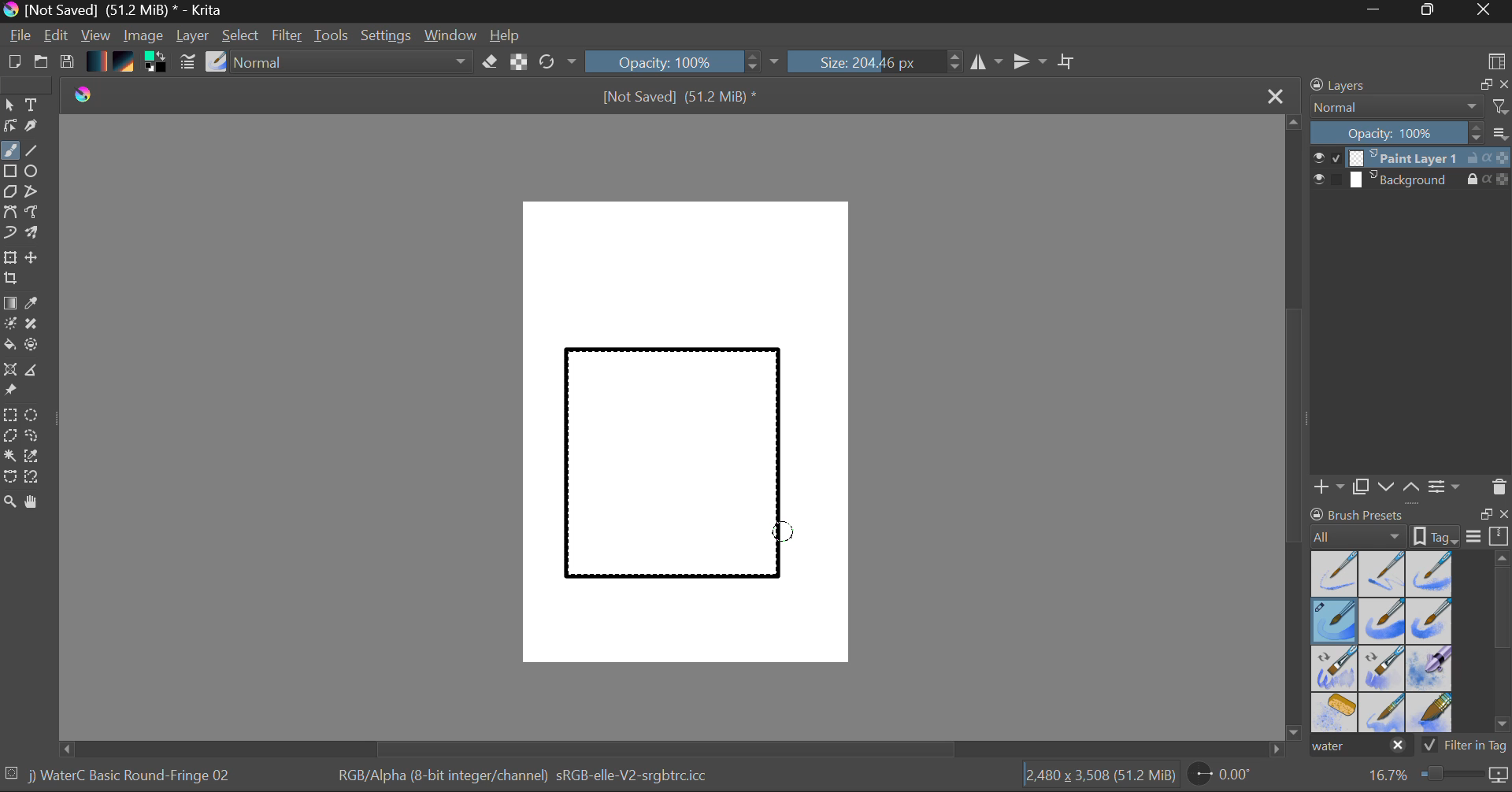  Describe the element at coordinates (157, 63) in the screenshot. I see `Colors in use` at that location.